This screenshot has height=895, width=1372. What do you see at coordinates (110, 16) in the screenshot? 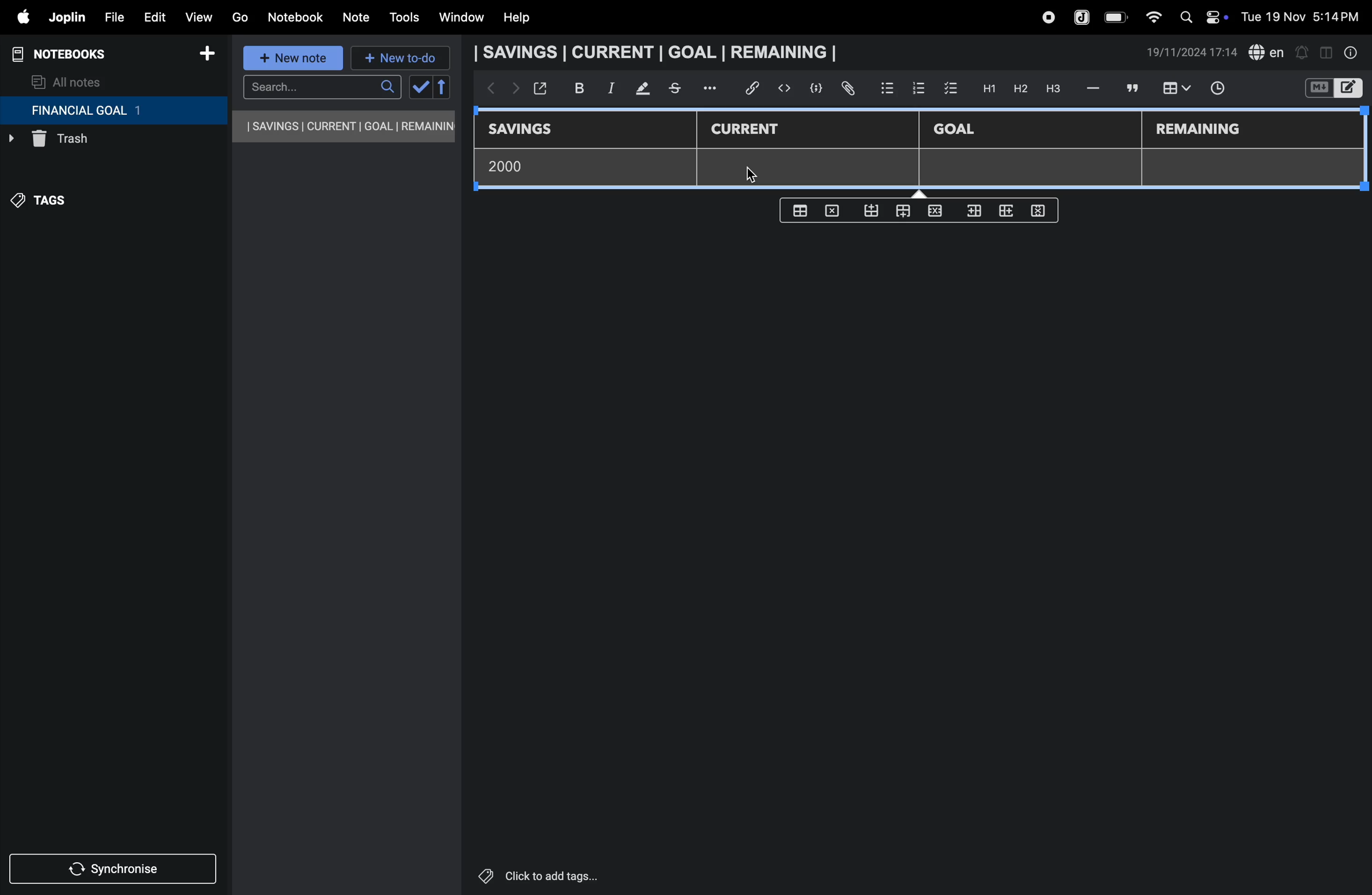
I see `file` at bounding box center [110, 16].